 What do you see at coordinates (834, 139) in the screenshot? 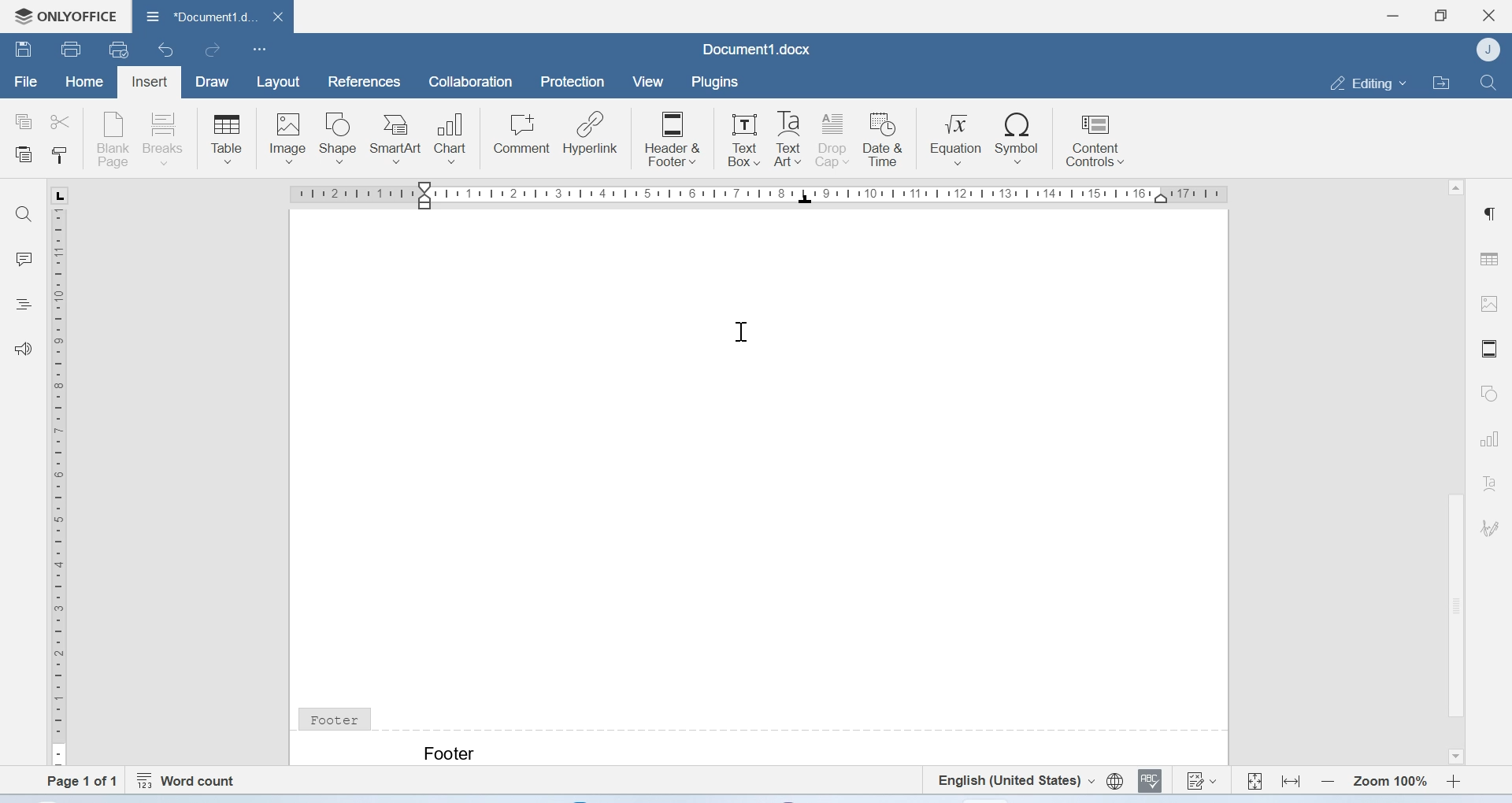
I see `Drop cap` at bounding box center [834, 139].